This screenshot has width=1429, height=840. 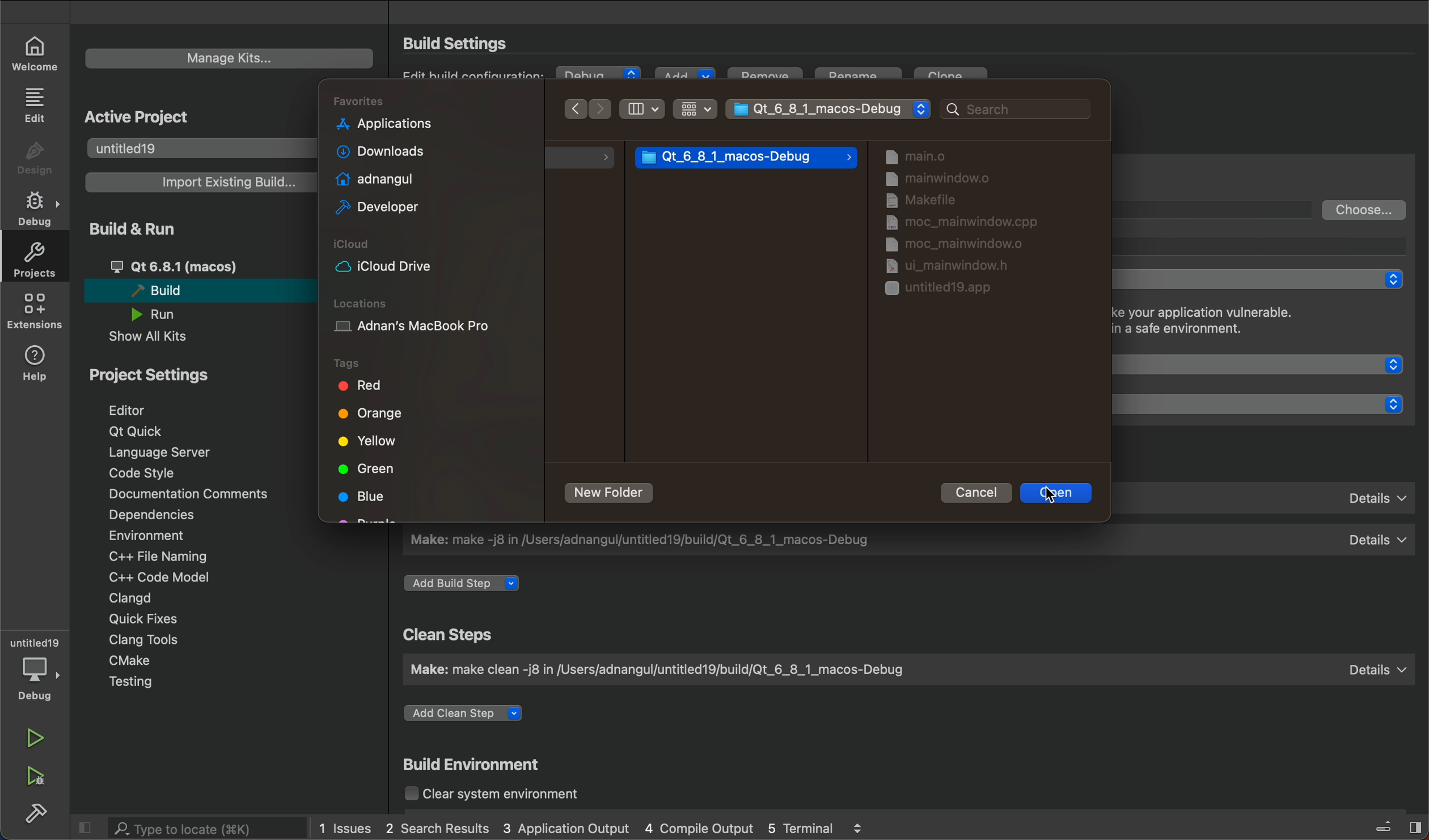 What do you see at coordinates (197, 182) in the screenshot?
I see `import existing build` at bounding box center [197, 182].